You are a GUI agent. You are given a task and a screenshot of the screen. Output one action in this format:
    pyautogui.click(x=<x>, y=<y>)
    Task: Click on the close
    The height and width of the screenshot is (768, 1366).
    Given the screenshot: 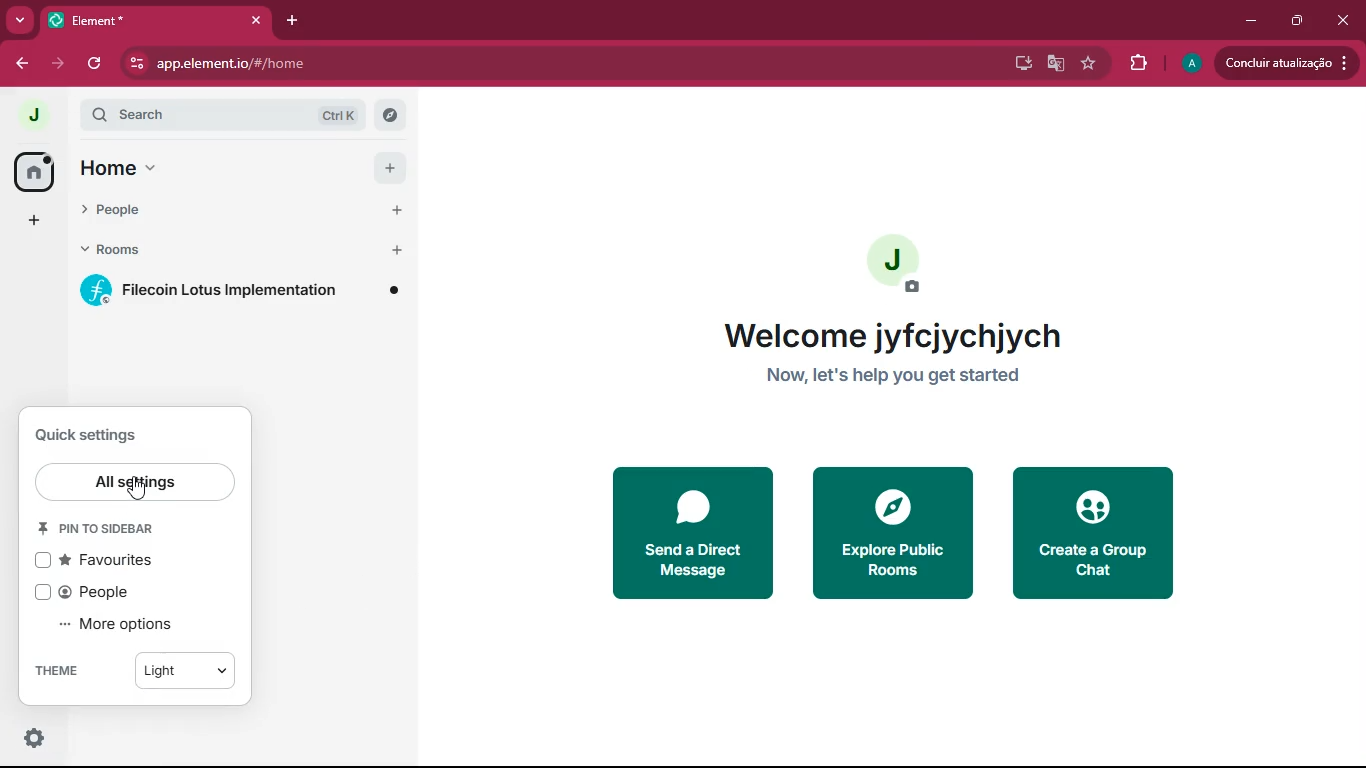 What is the action you would take?
    pyautogui.click(x=254, y=20)
    